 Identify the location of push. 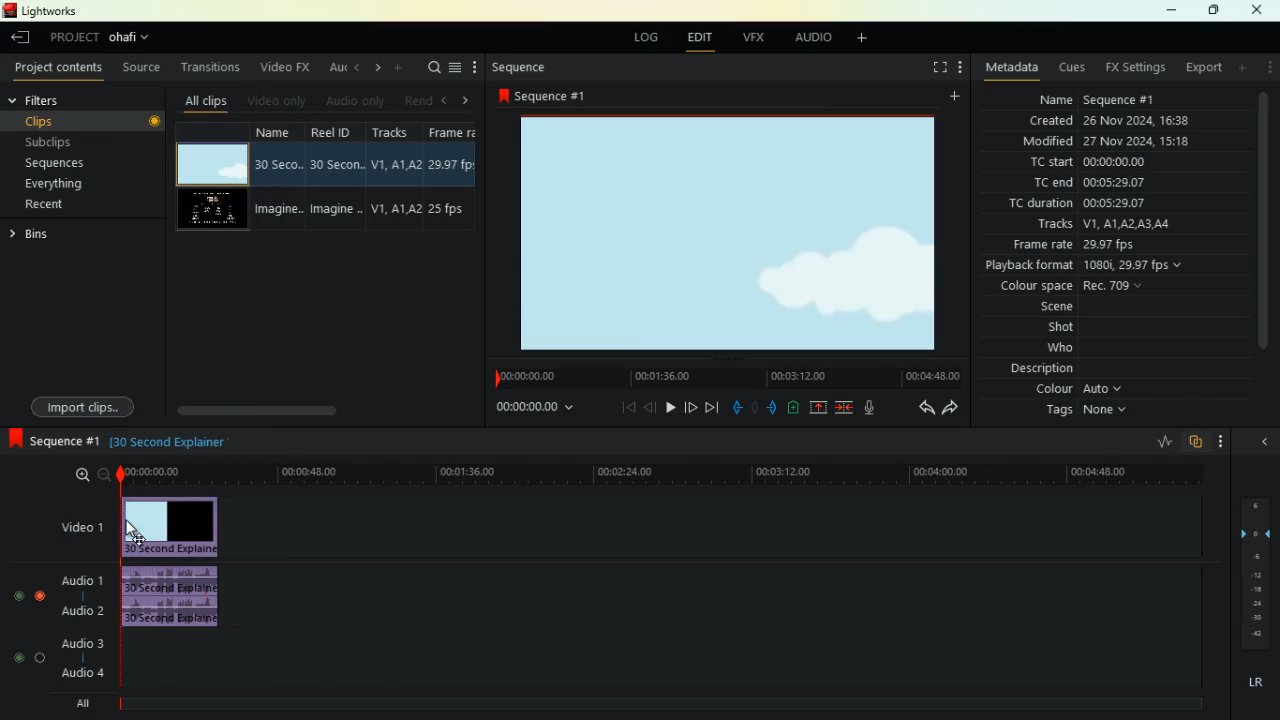
(774, 408).